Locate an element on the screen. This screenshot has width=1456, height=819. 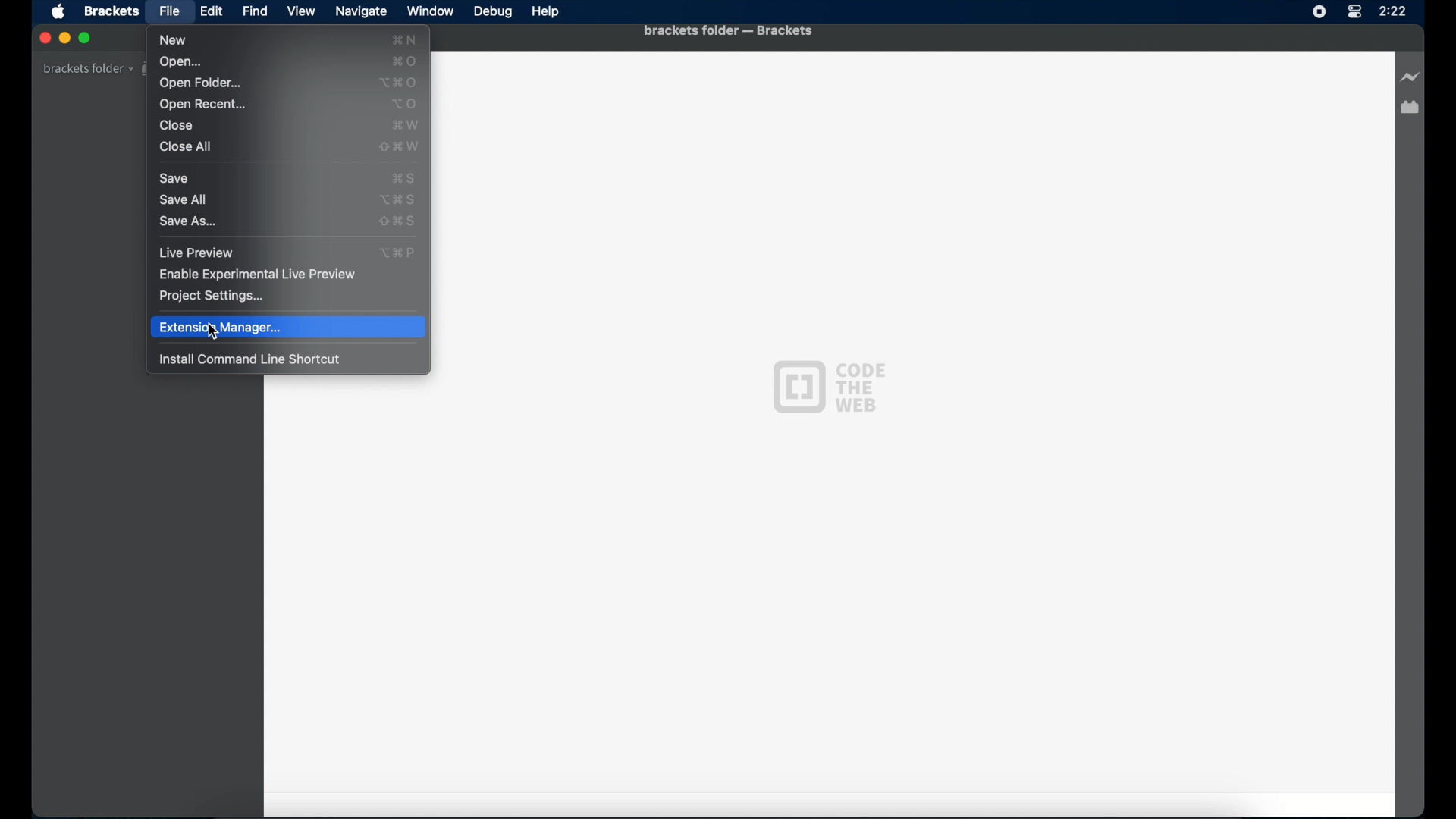
open recent is located at coordinates (202, 105).